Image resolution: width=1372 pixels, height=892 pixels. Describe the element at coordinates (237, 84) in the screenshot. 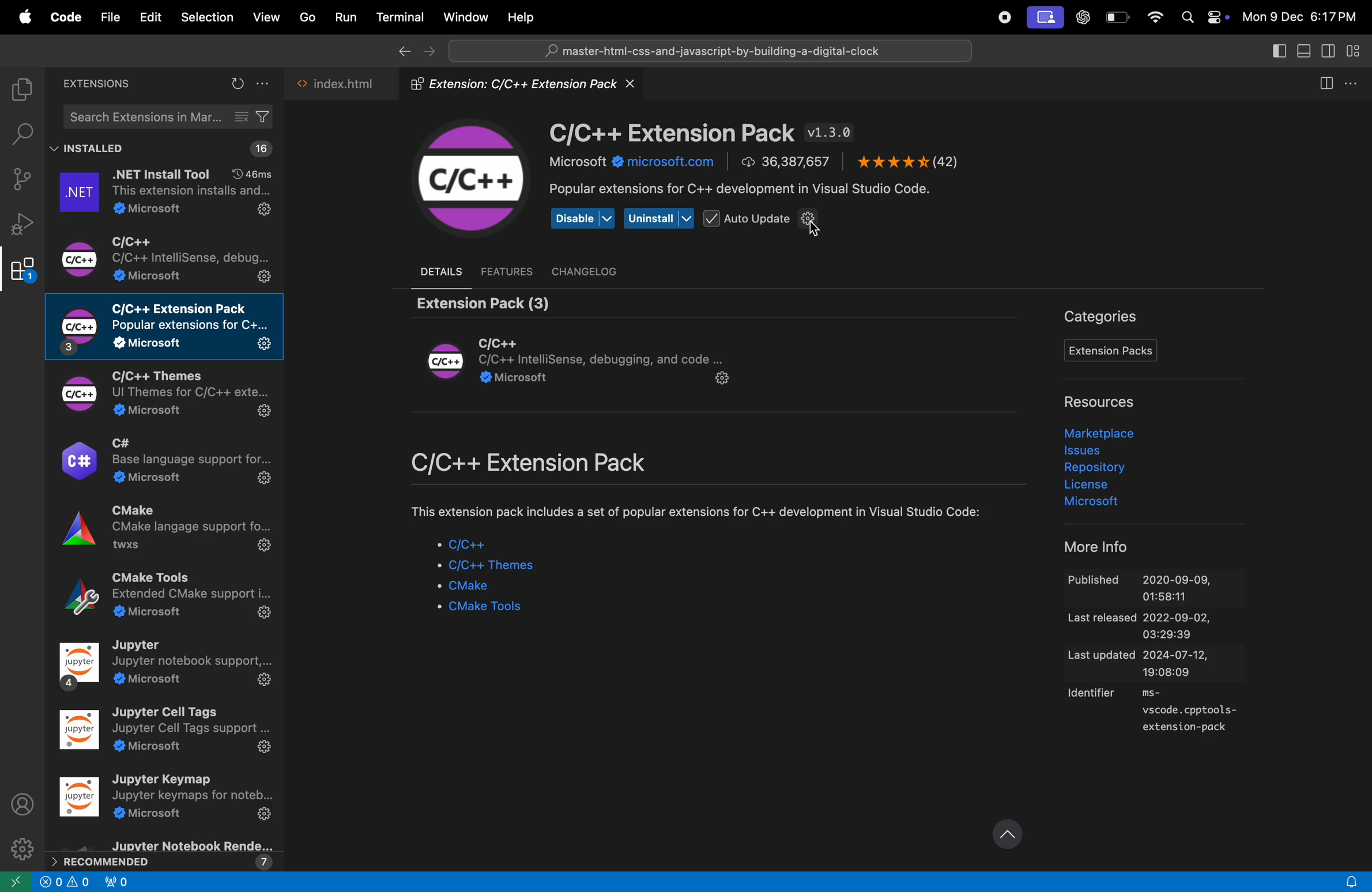

I see `refresh` at that location.